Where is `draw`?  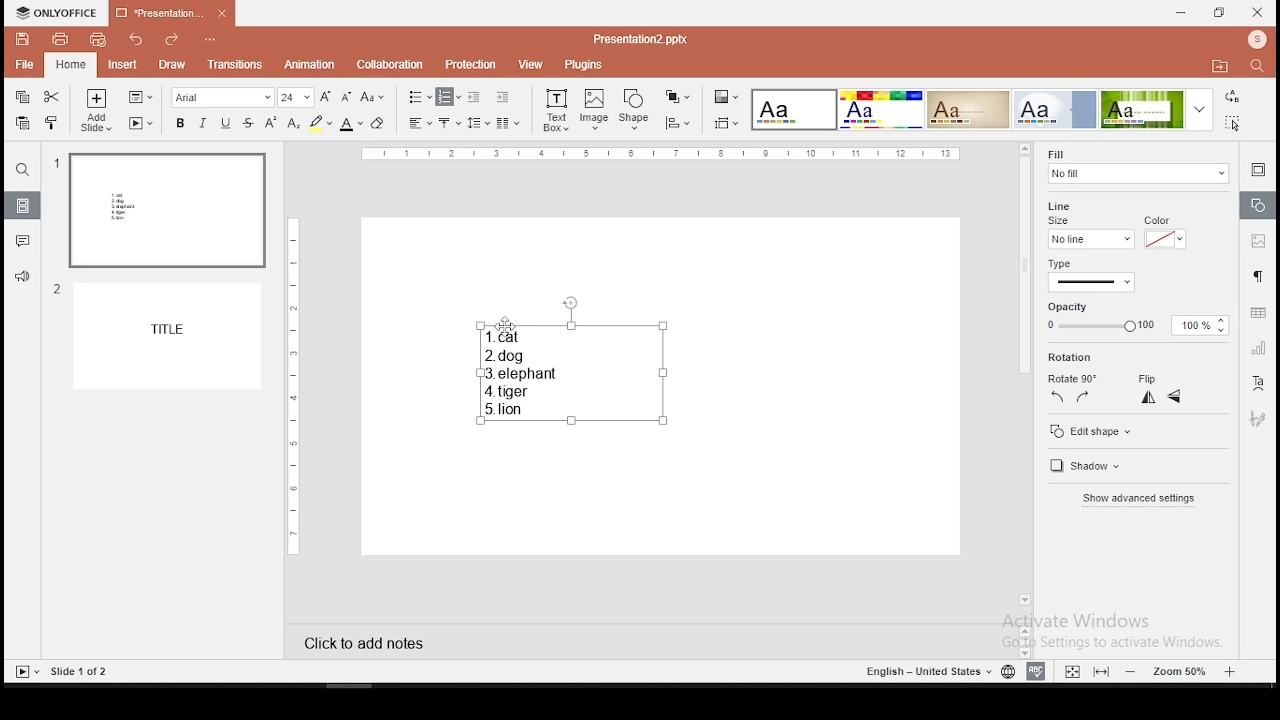
draw is located at coordinates (172, 66).